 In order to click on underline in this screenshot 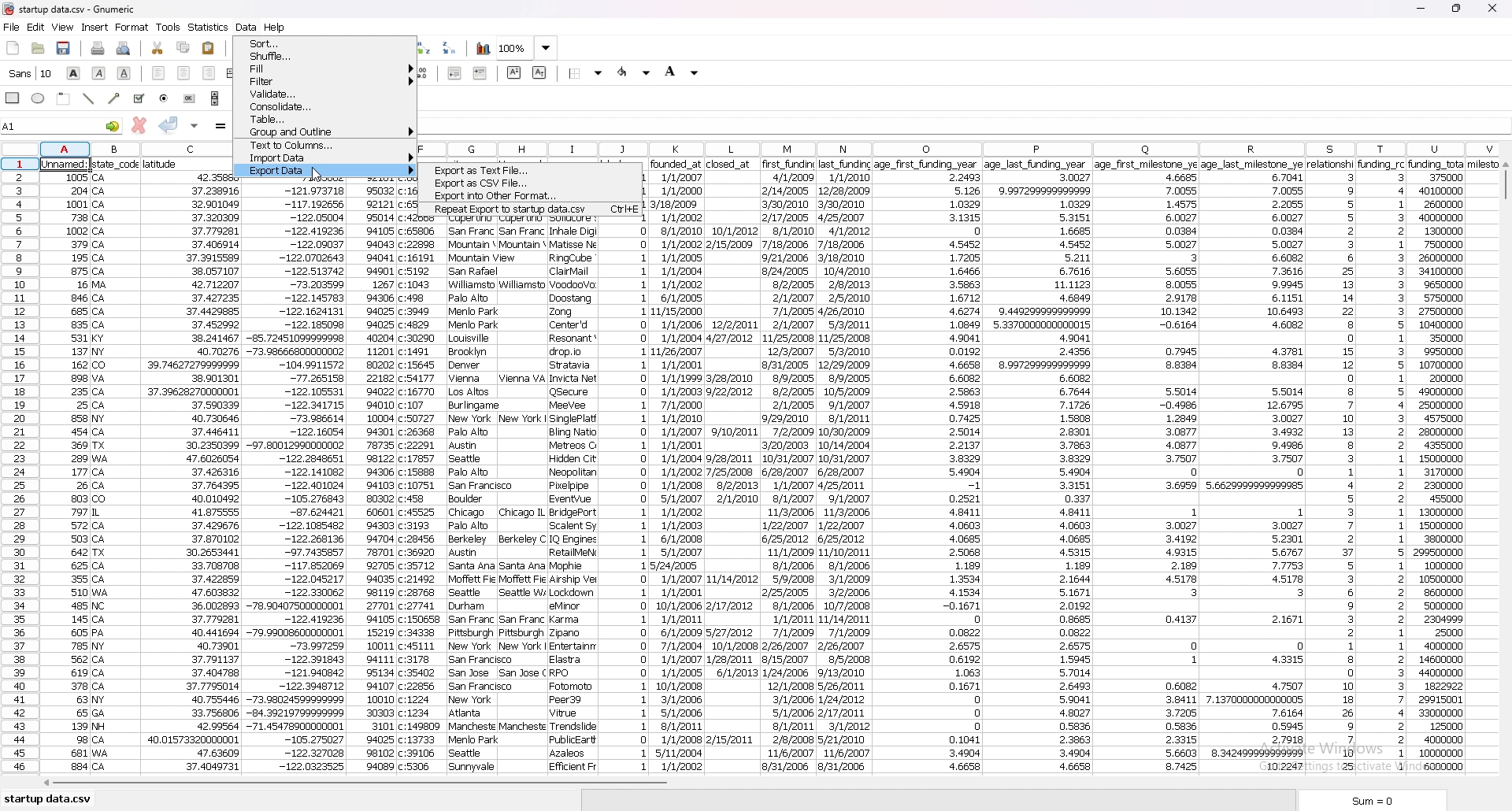, I will do `click(125, 73)`.